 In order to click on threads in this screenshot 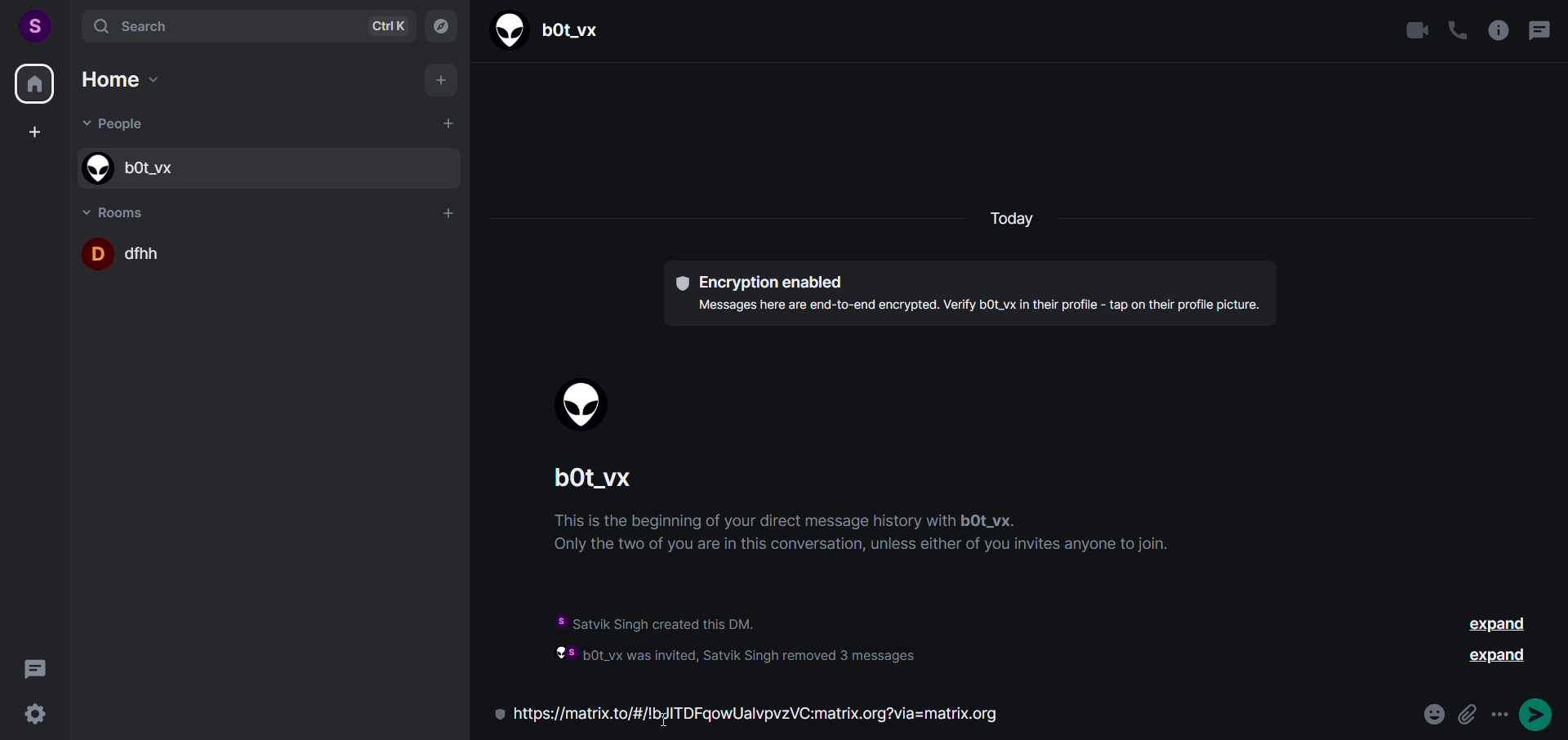, I will do `click(35, 666)`.